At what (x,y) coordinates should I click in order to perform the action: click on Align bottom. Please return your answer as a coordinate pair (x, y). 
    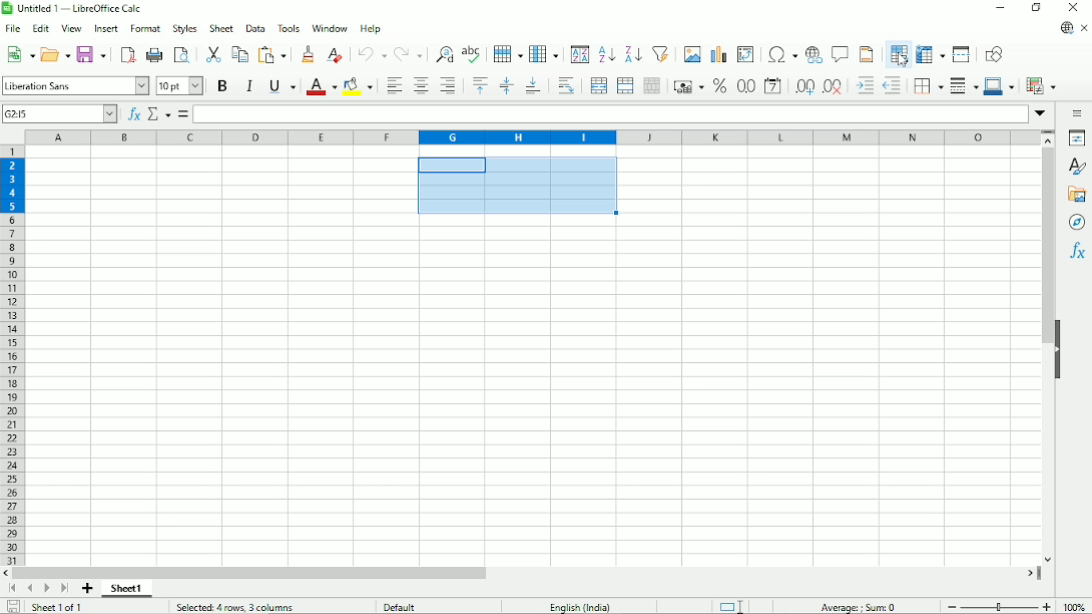
    Looking at the image, I should click on (533, 86).